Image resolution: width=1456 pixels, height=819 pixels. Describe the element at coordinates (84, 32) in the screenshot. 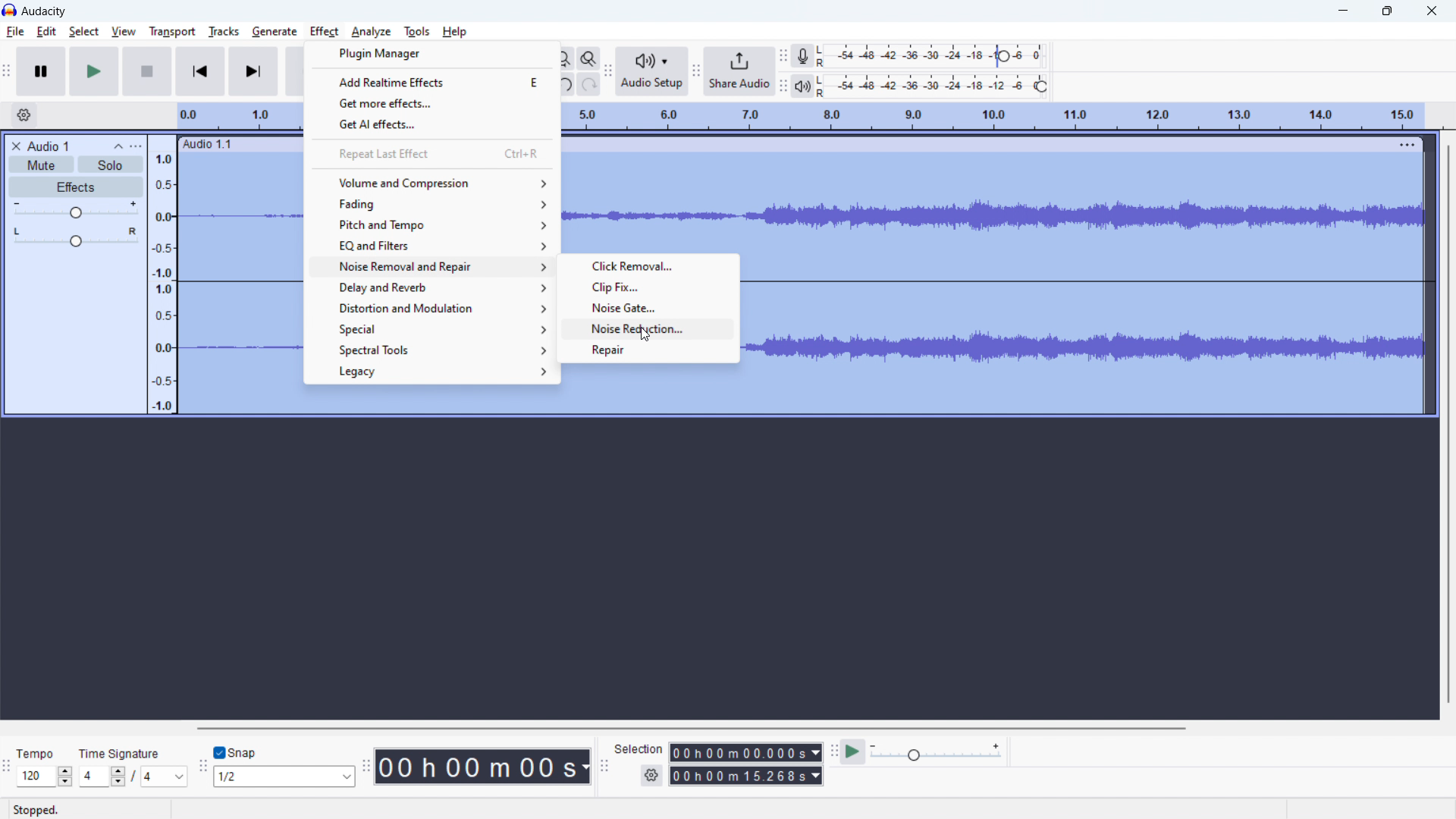

I see `select` at that location.